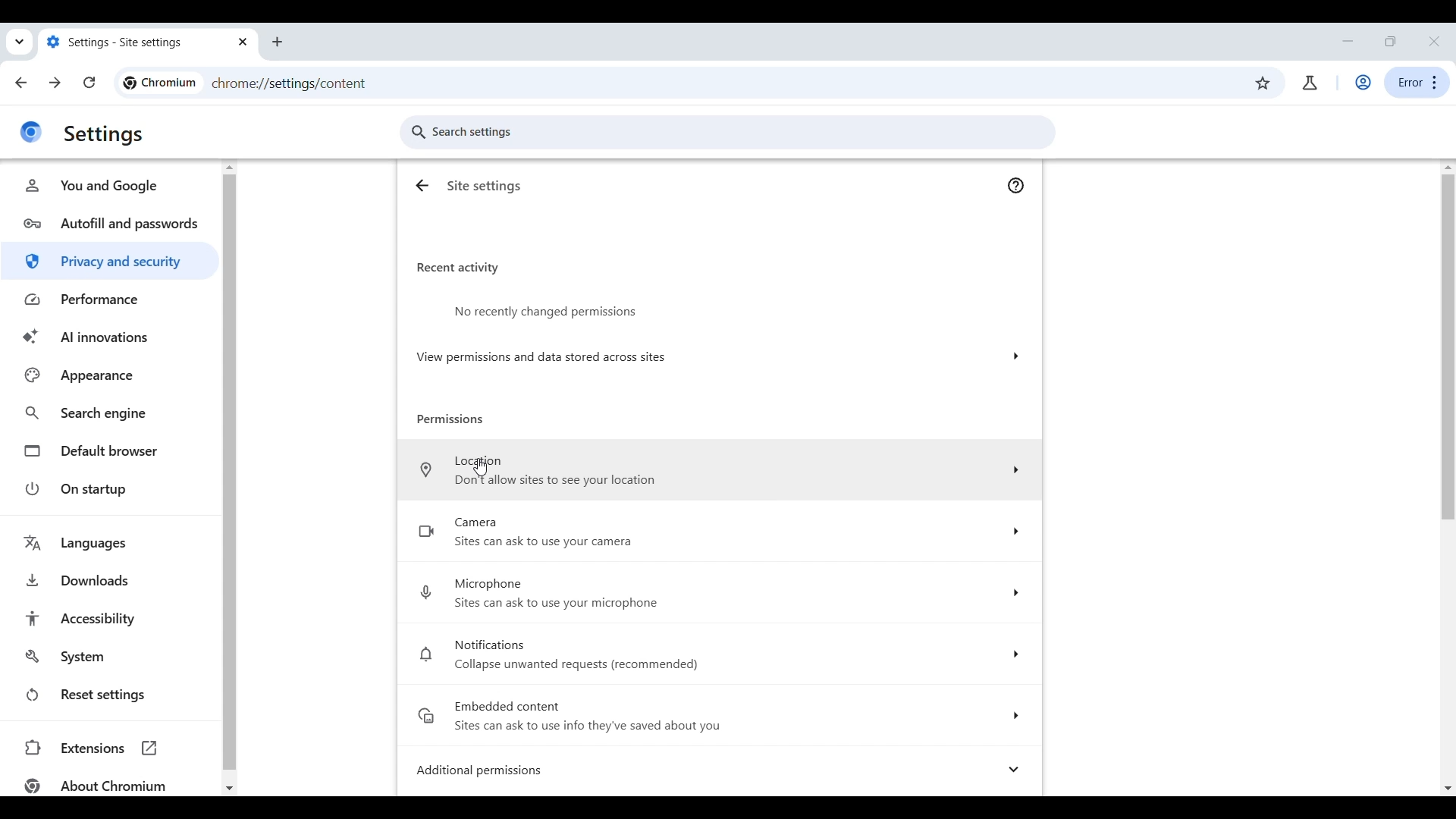 Image resolution: width=1456 pixels, height=819 pixels. Describe the element at coordinates (108, 543) in the screenshot. I see `Languages` at that location.